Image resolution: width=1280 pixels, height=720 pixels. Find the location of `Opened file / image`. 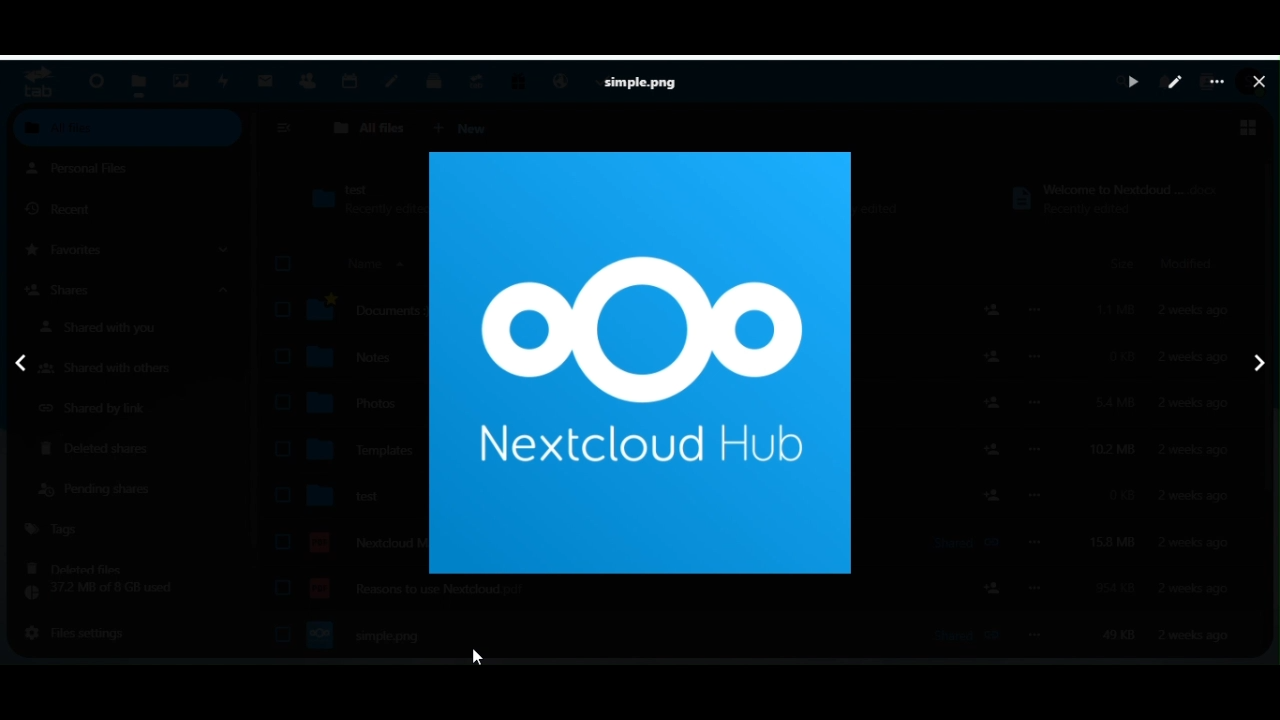

Opened file / image is located at coordinates (639, 366).